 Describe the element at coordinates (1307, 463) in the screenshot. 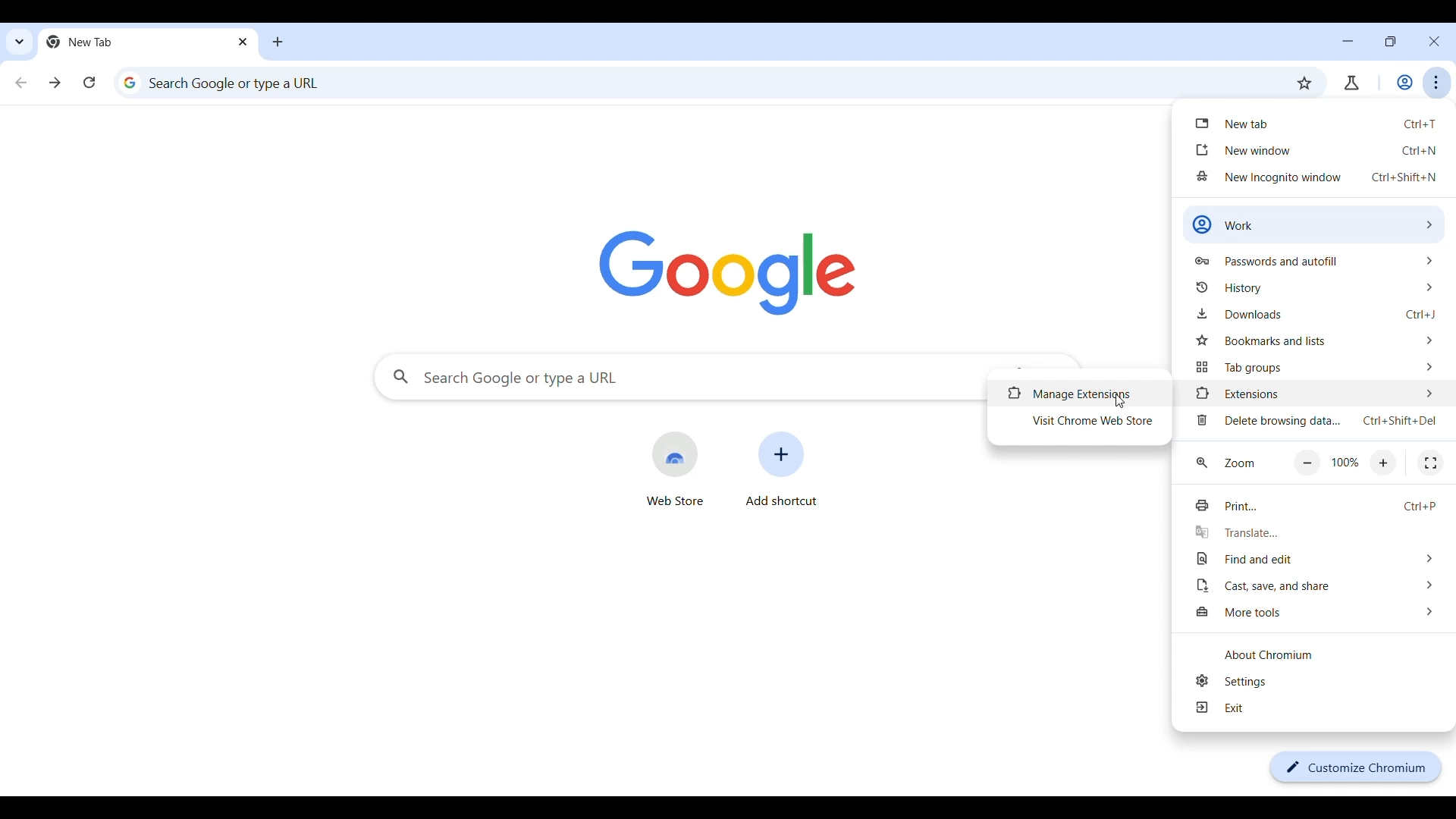

I see `Zoom out` at that location.